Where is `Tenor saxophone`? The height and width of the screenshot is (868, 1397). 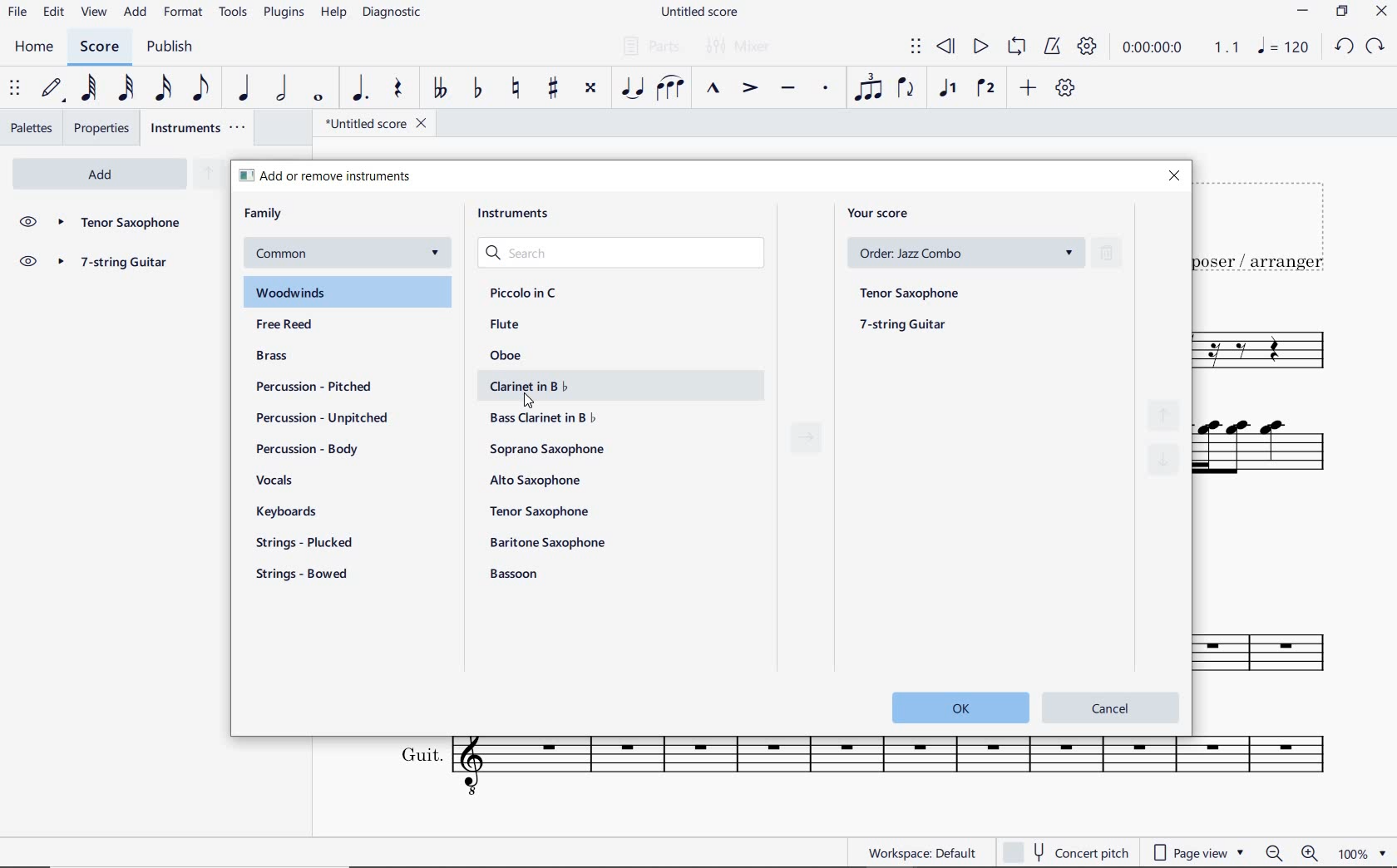 Tenor saxophone is located at coordinates (119, 224).